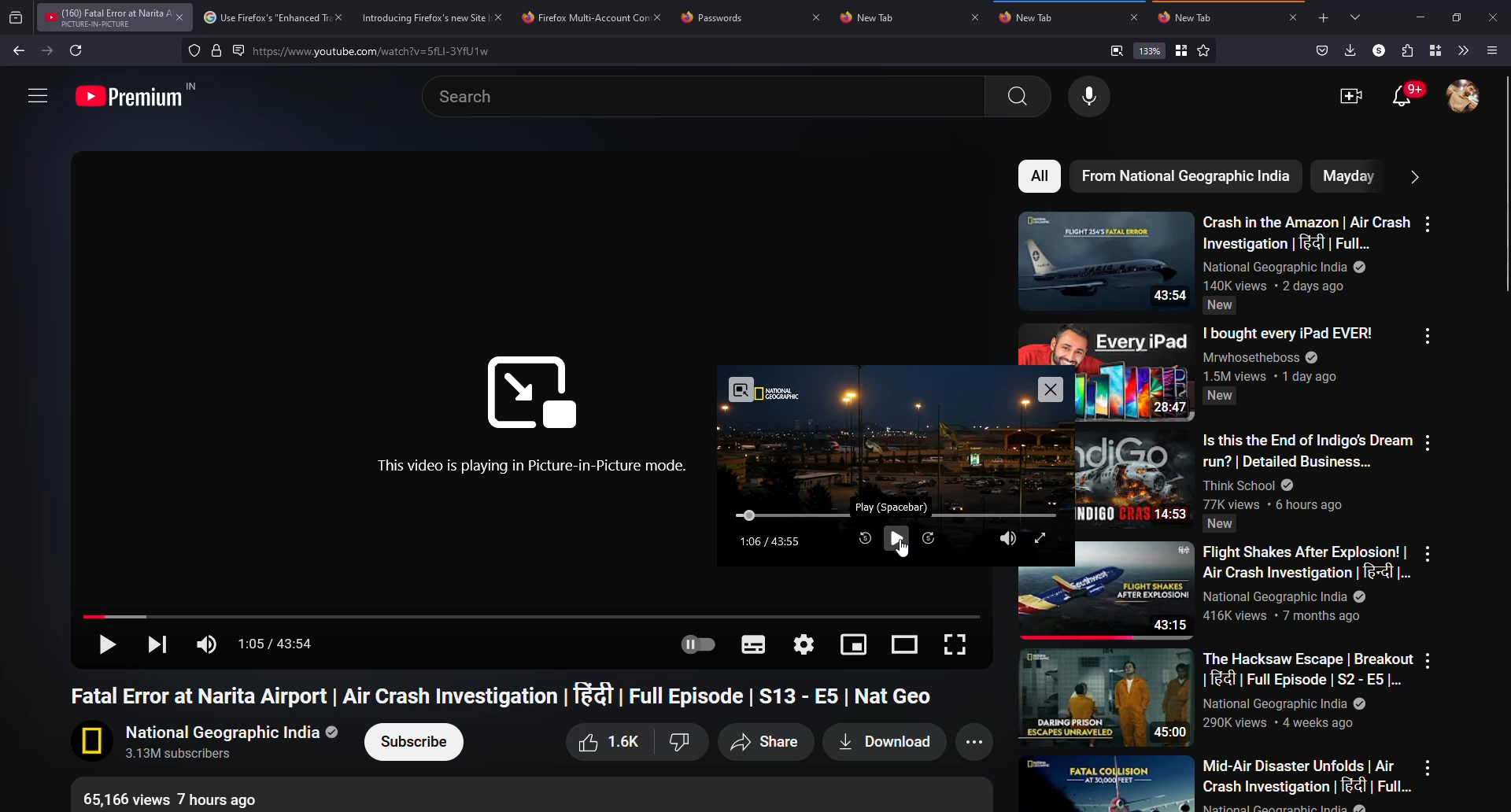 The height and width of the screenshot is (812, 1511). I want to click on tab, so click(1026, 17).